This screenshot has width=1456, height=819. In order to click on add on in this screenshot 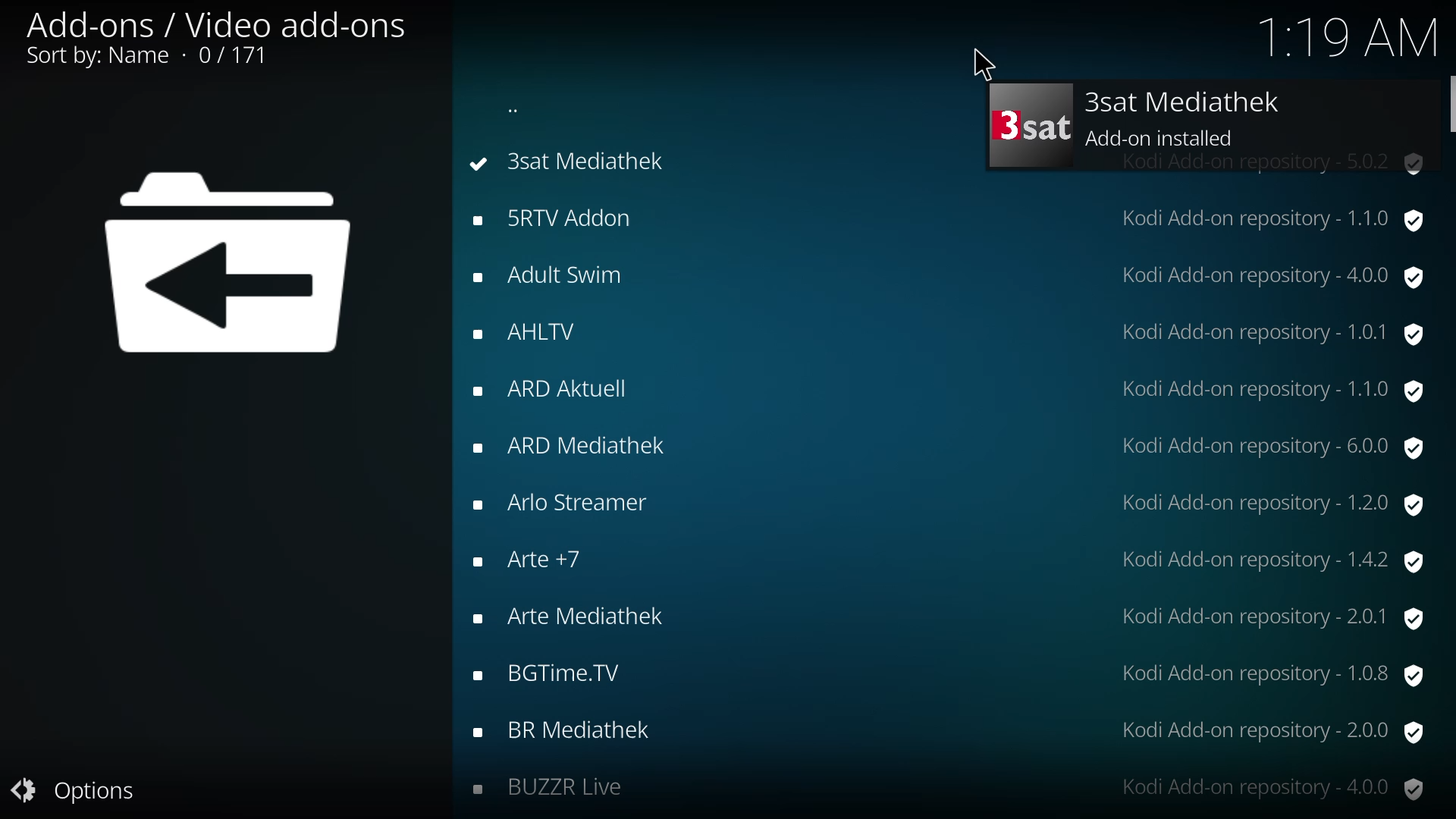, I will do `click(218, 24)`.